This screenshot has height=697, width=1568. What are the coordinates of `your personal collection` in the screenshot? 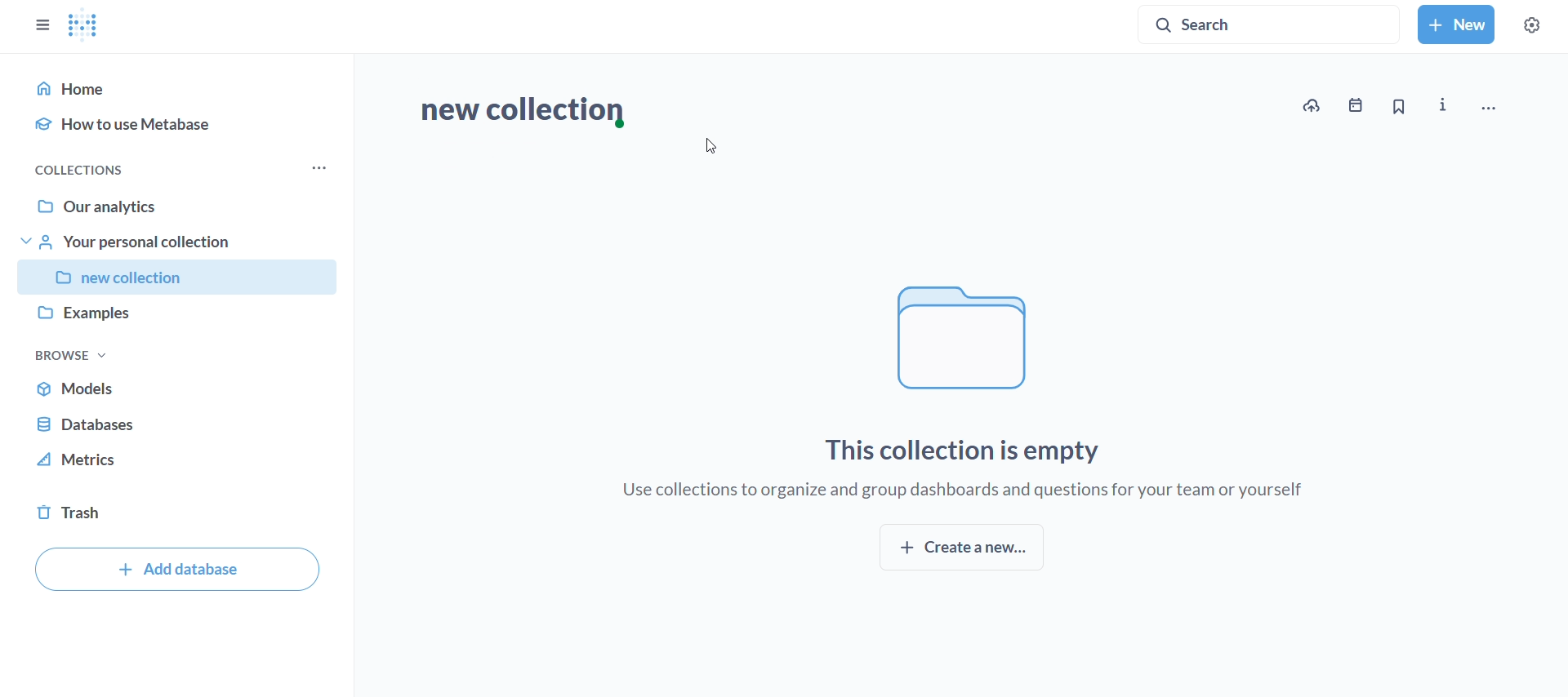 It's located at (181, 242).